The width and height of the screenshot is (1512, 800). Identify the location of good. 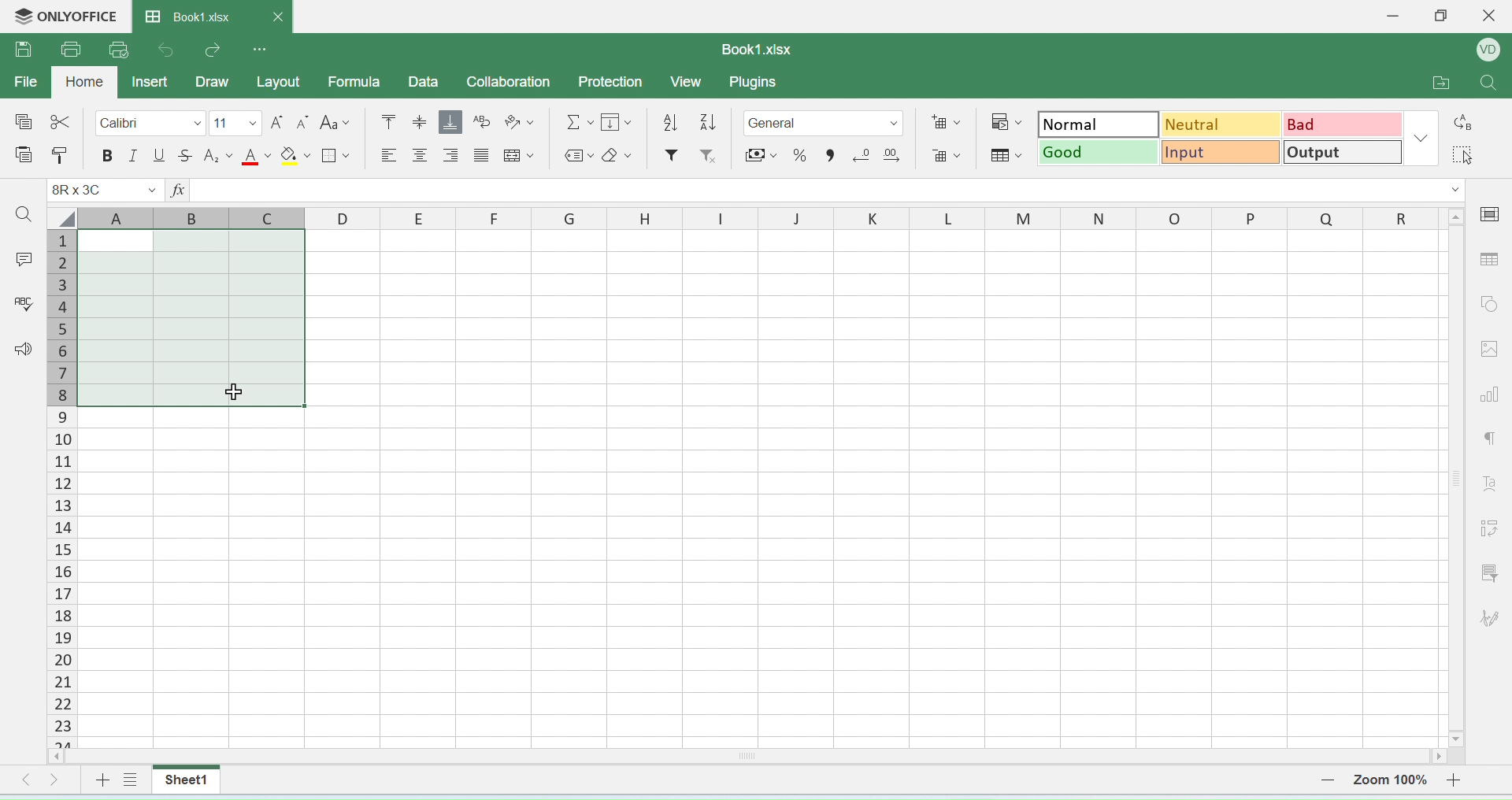
(1097, 152).